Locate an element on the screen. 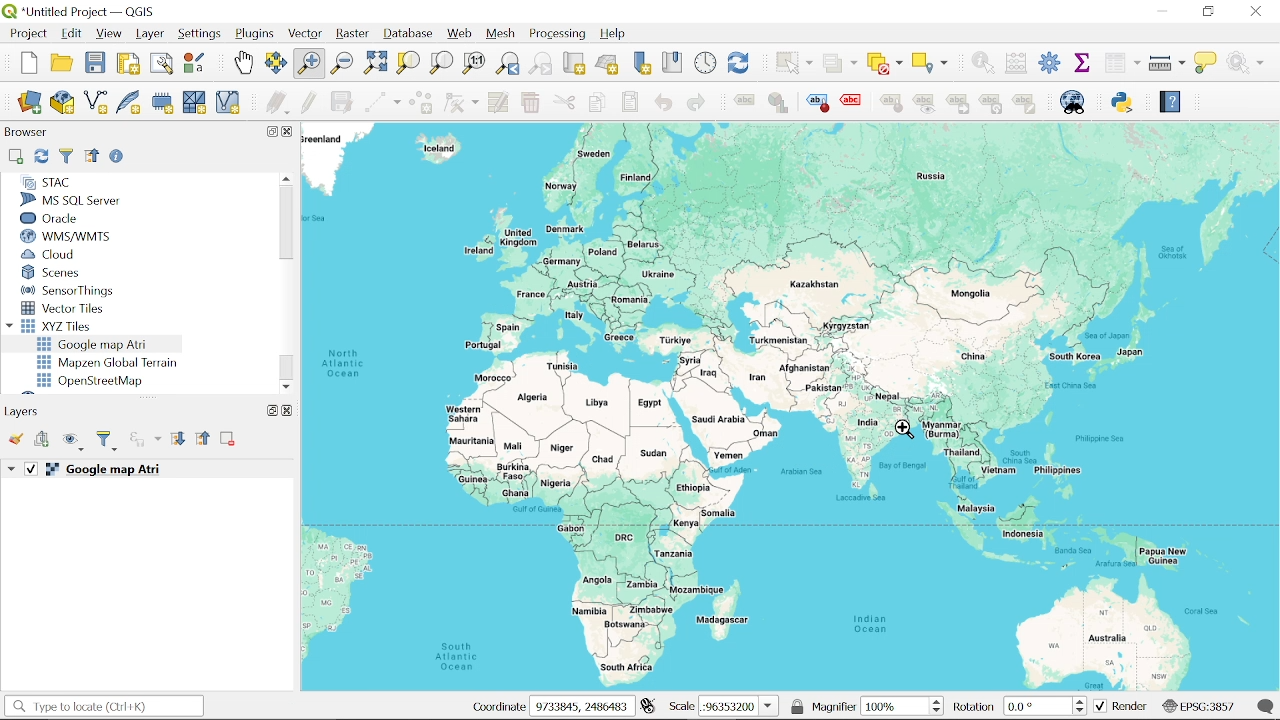 This screenshot has width=1280, height=720. Manage map themes is located at coordinates (74, 444).